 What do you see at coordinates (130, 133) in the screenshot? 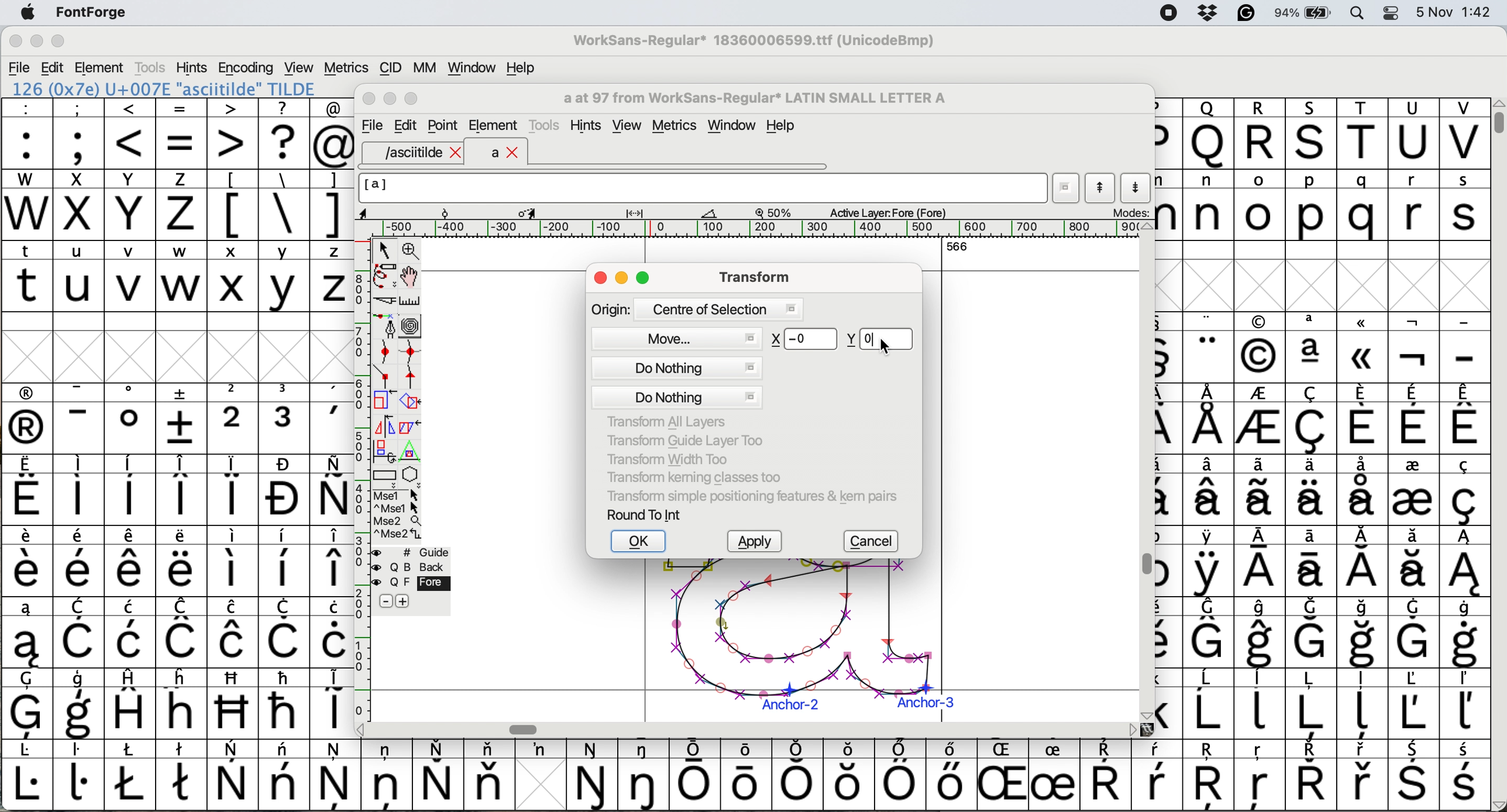
I see `<` at bounding box center [130, 133].